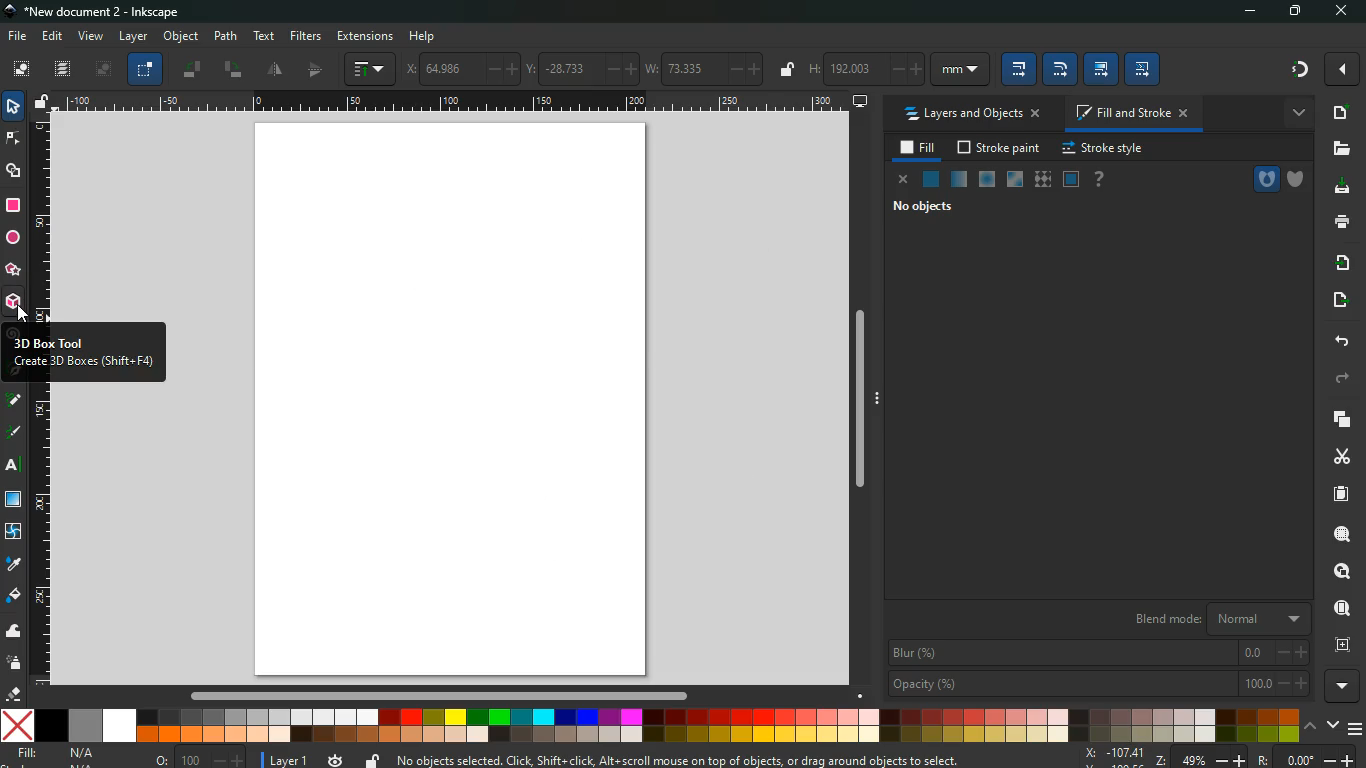 Image resolution: width=1366 pixels, height=768 pixels. I want to click on star, so click(12, 272).